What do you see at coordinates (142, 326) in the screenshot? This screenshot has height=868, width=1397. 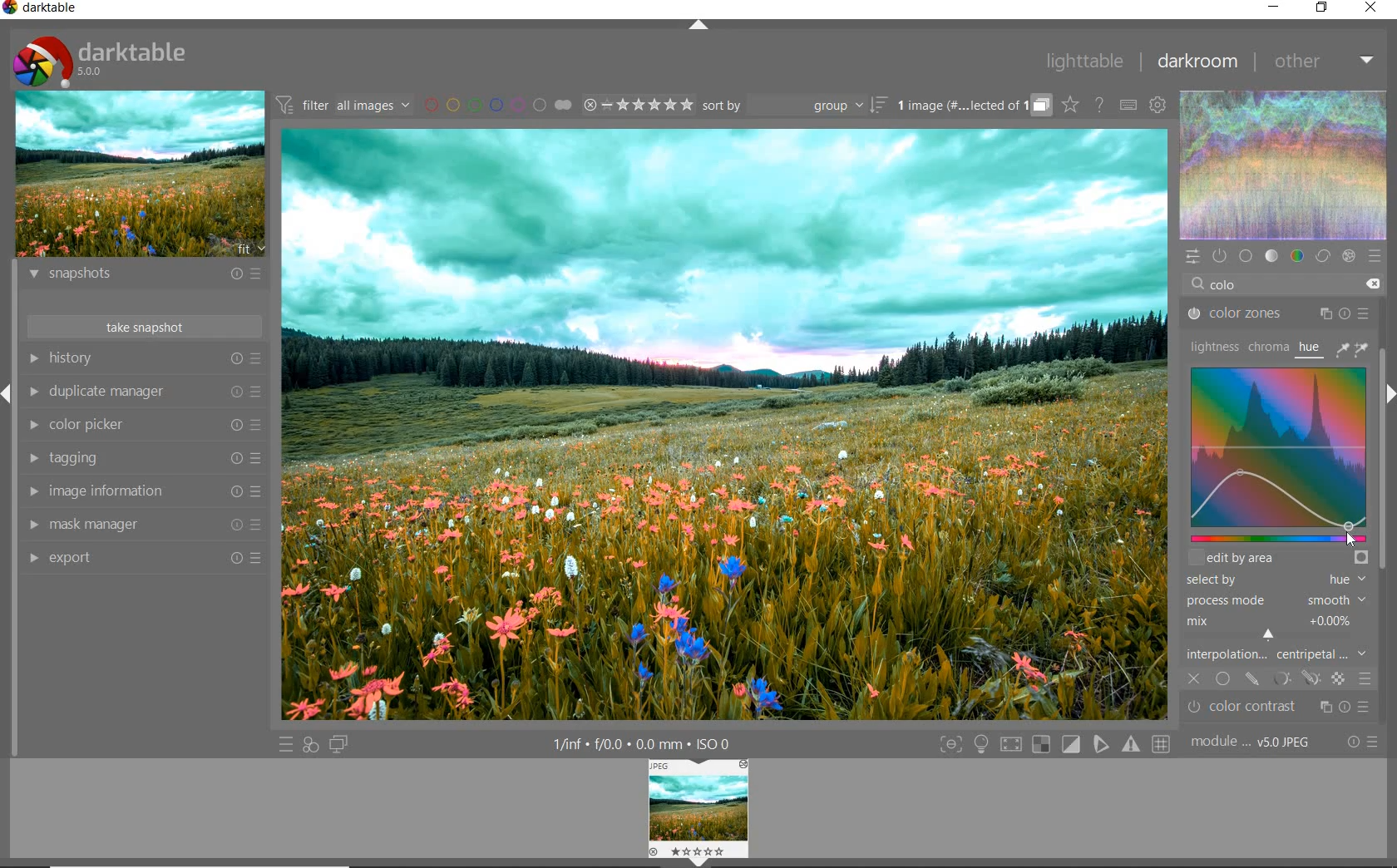 I see `take snapshots` at bounding box center [142, 326].